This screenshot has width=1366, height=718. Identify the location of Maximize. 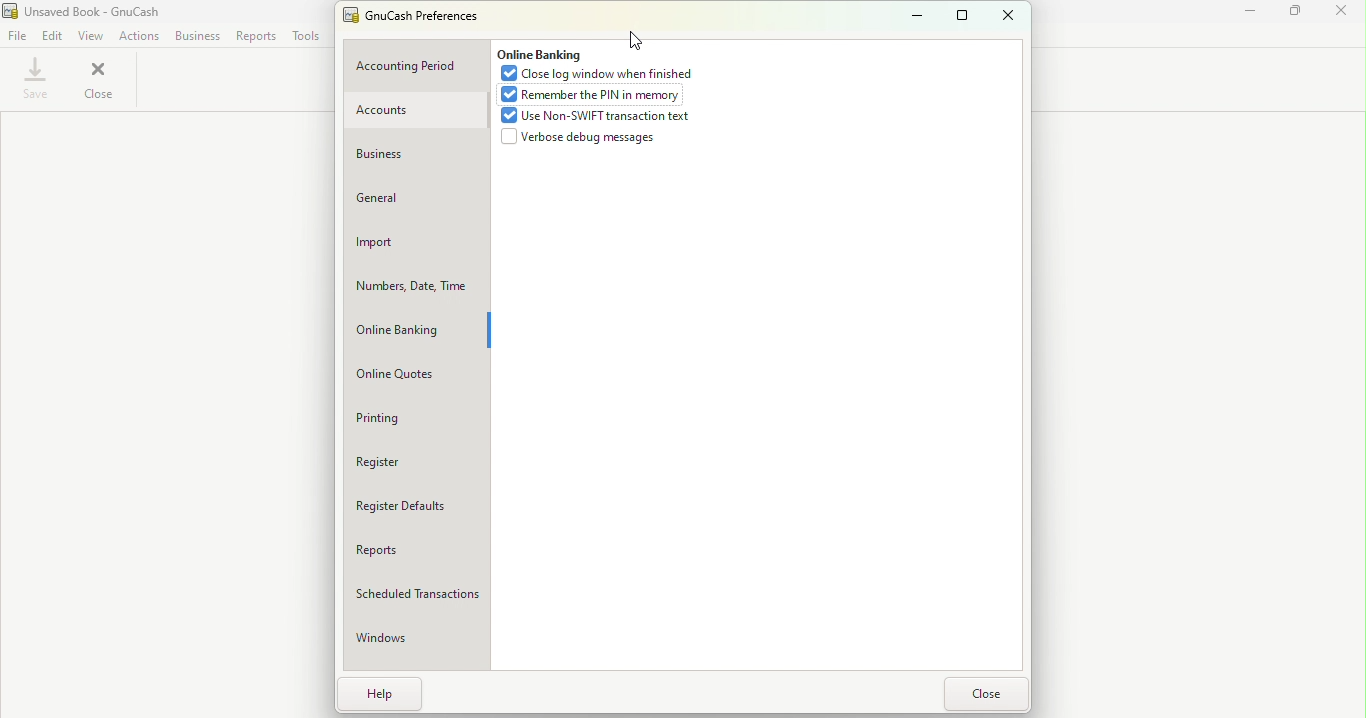
(1299, 17).